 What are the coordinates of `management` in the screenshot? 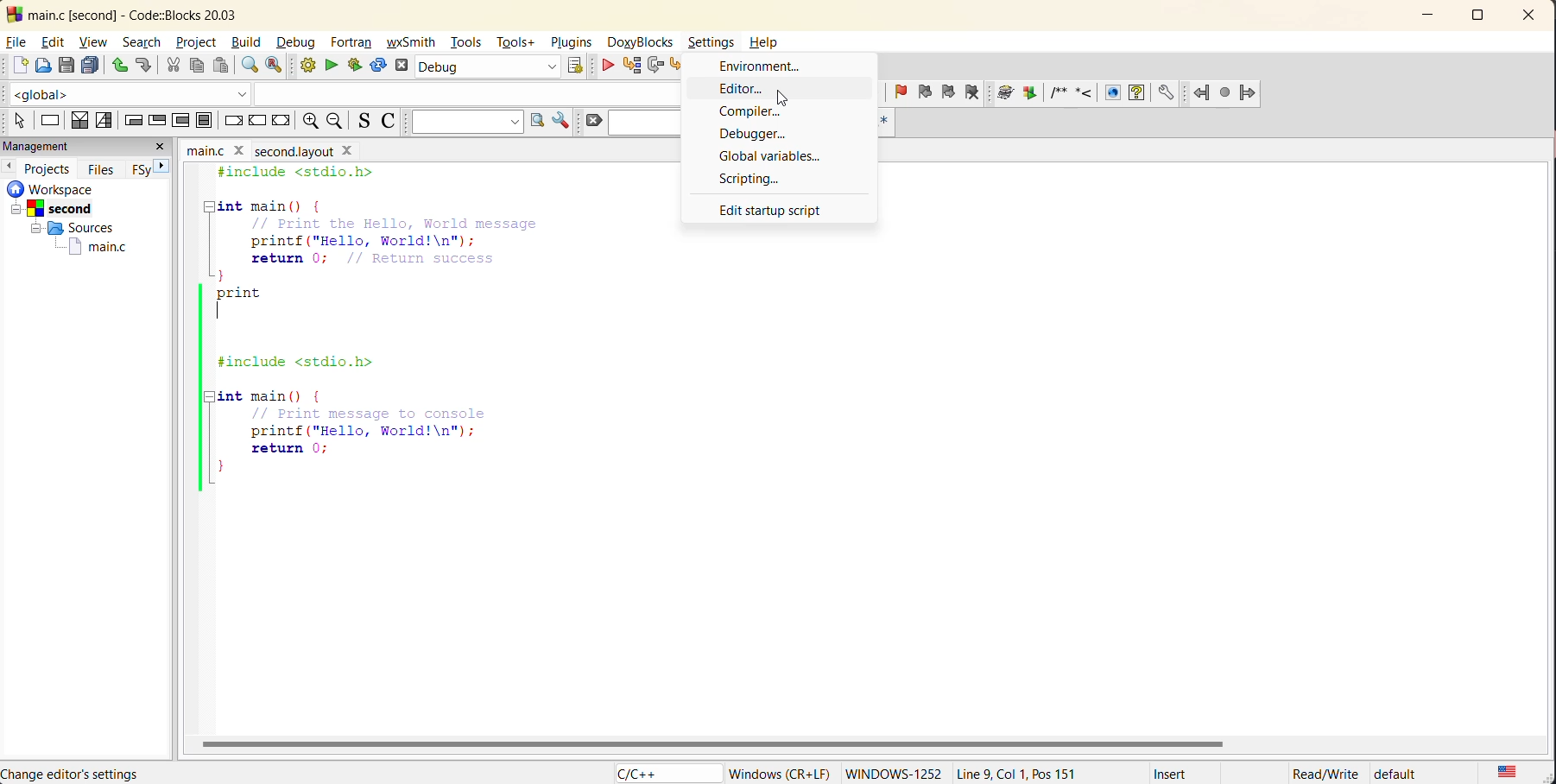 It's located at (73, 146).